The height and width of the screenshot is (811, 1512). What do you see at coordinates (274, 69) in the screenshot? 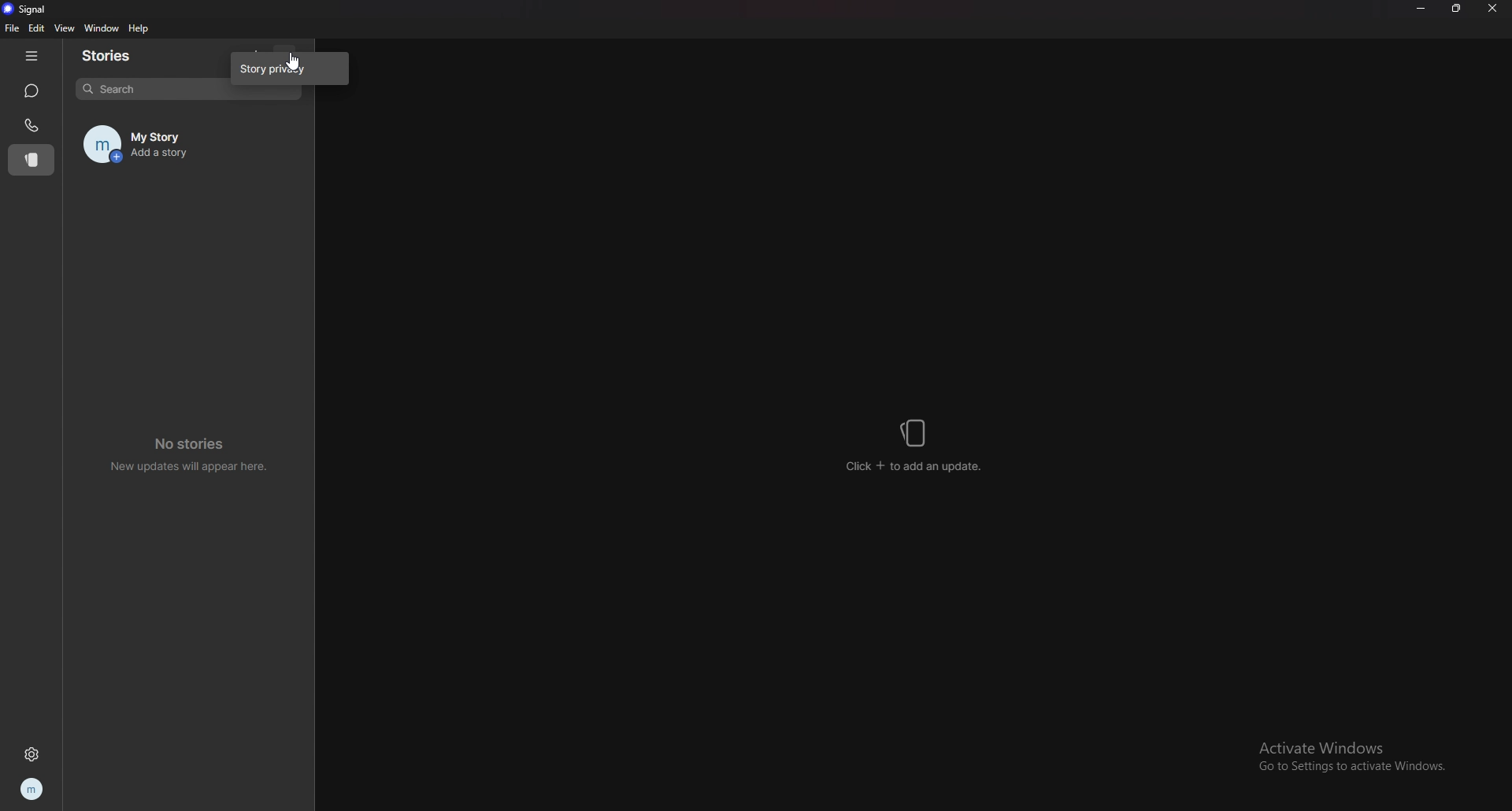
I see `story privacy` at bounding box center [274, 69].